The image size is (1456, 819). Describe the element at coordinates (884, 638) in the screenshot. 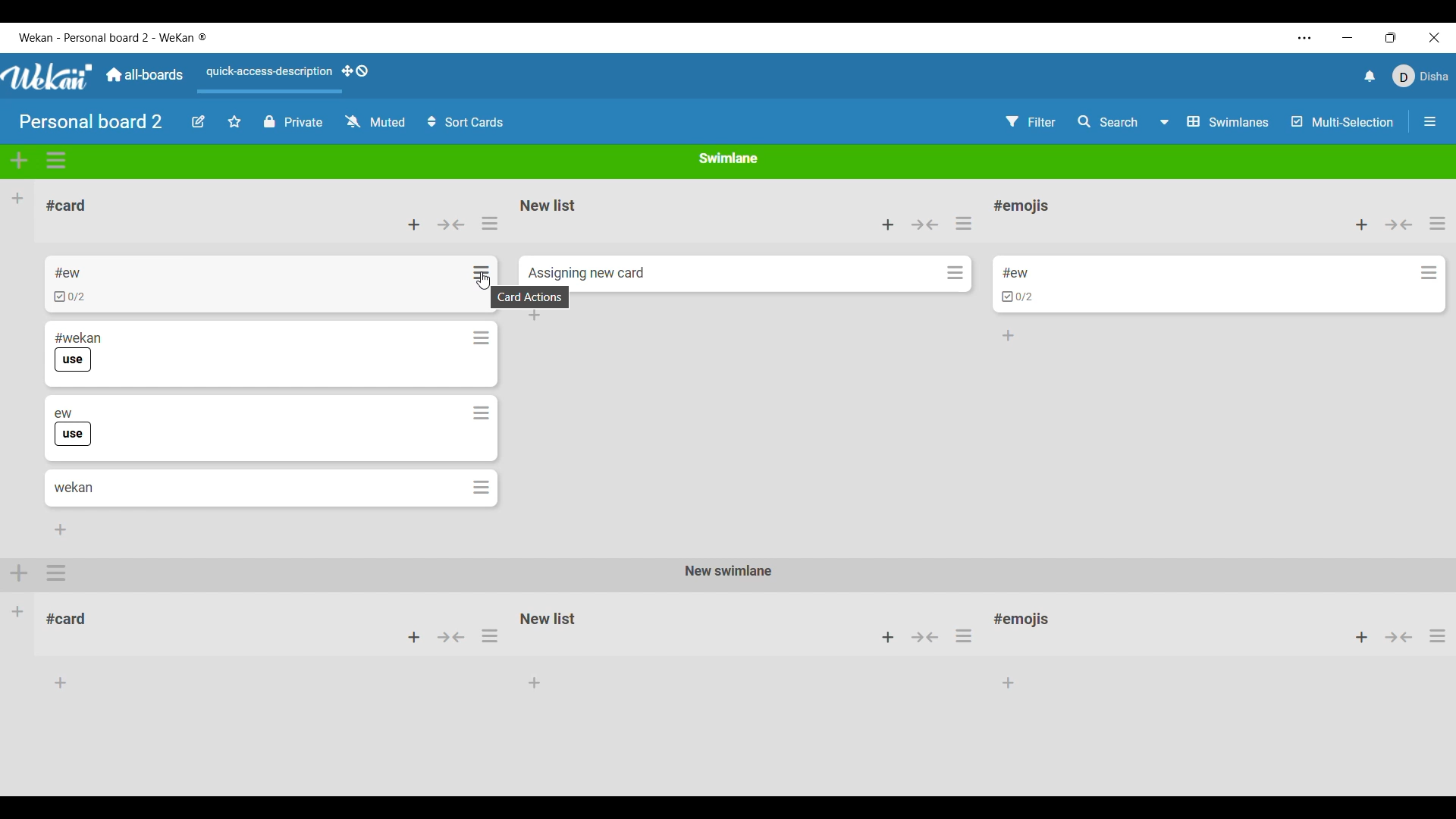

I see `add` at that location.